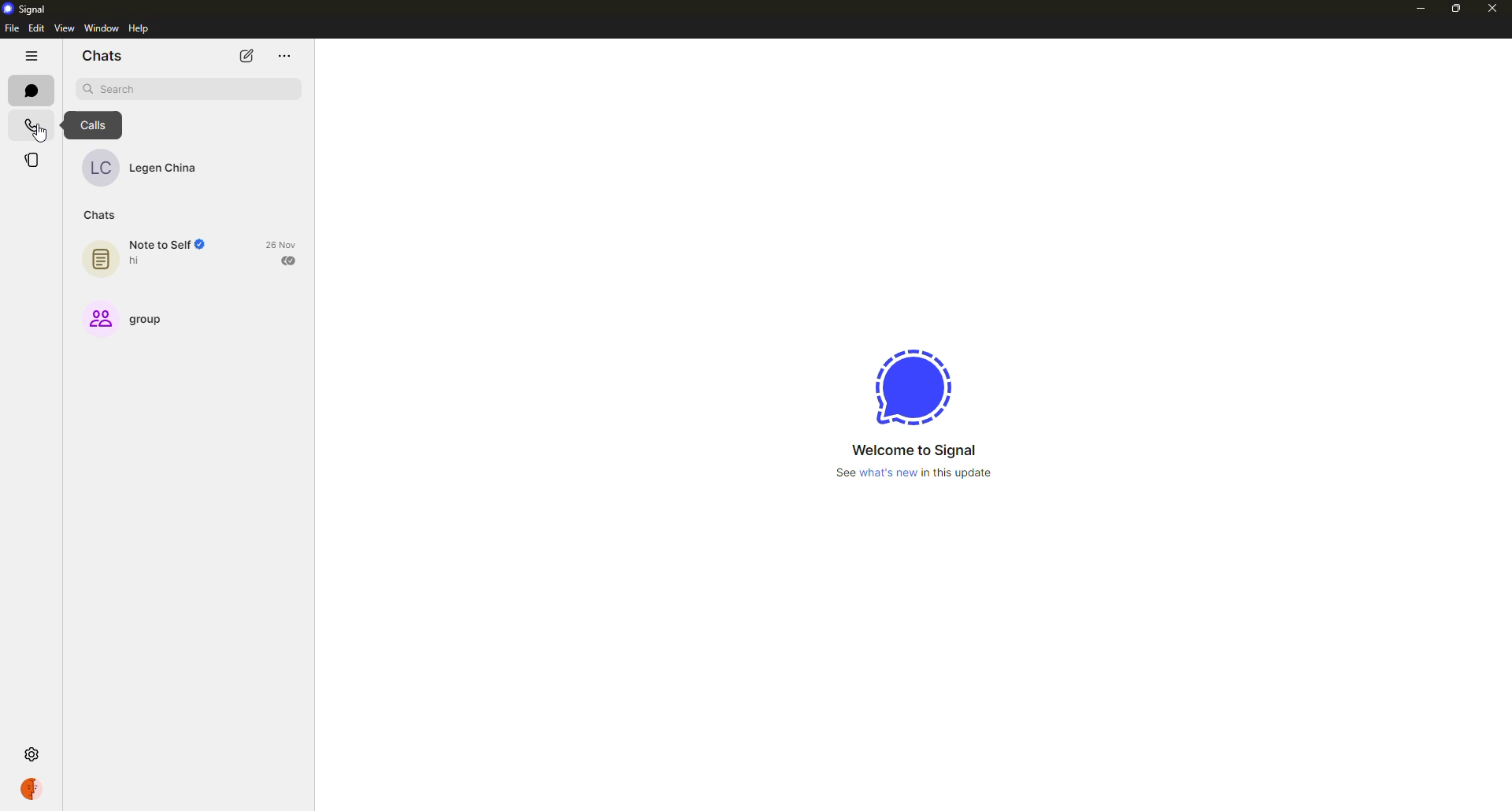 This screenshot has width=1512, height=811. Describe the element at coordinates (288, 261) in the screenshot. I see `sent` at that location.